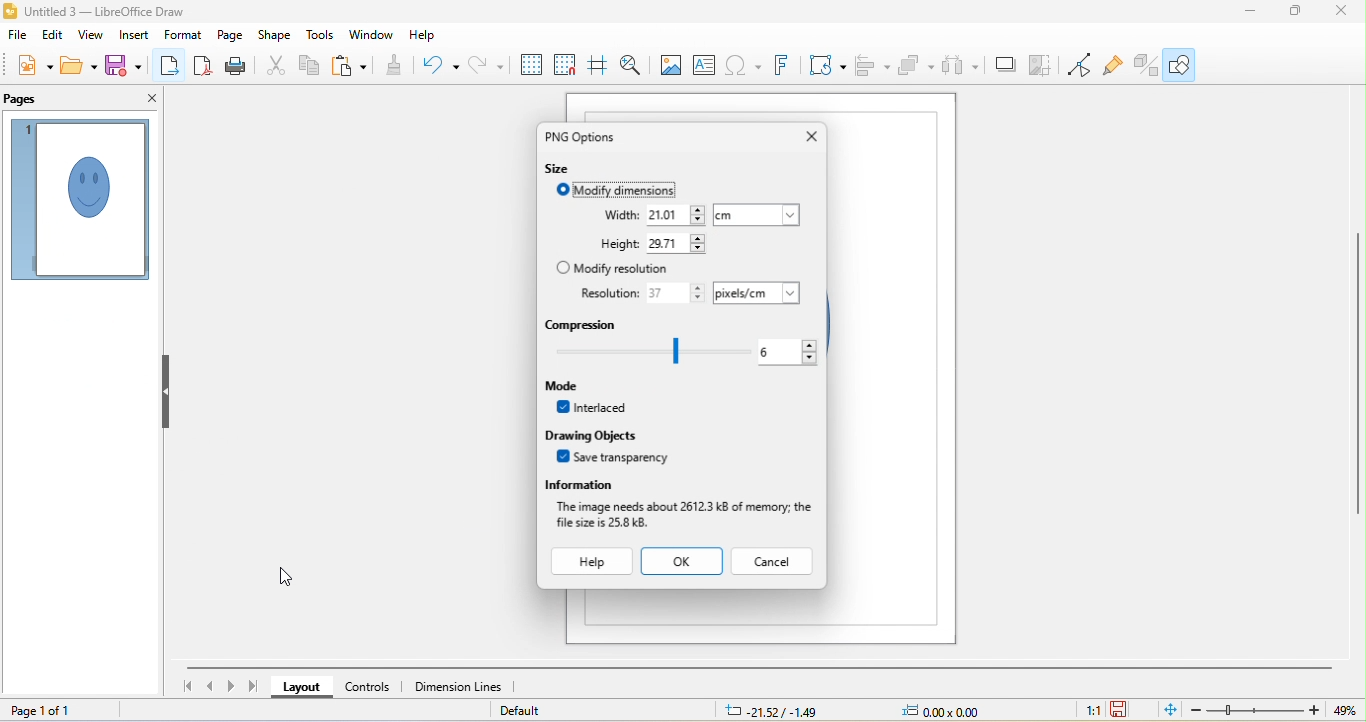  Describe the element at coordinates (633, 67) in the screenshot. I see `zoom and pan` at that location.